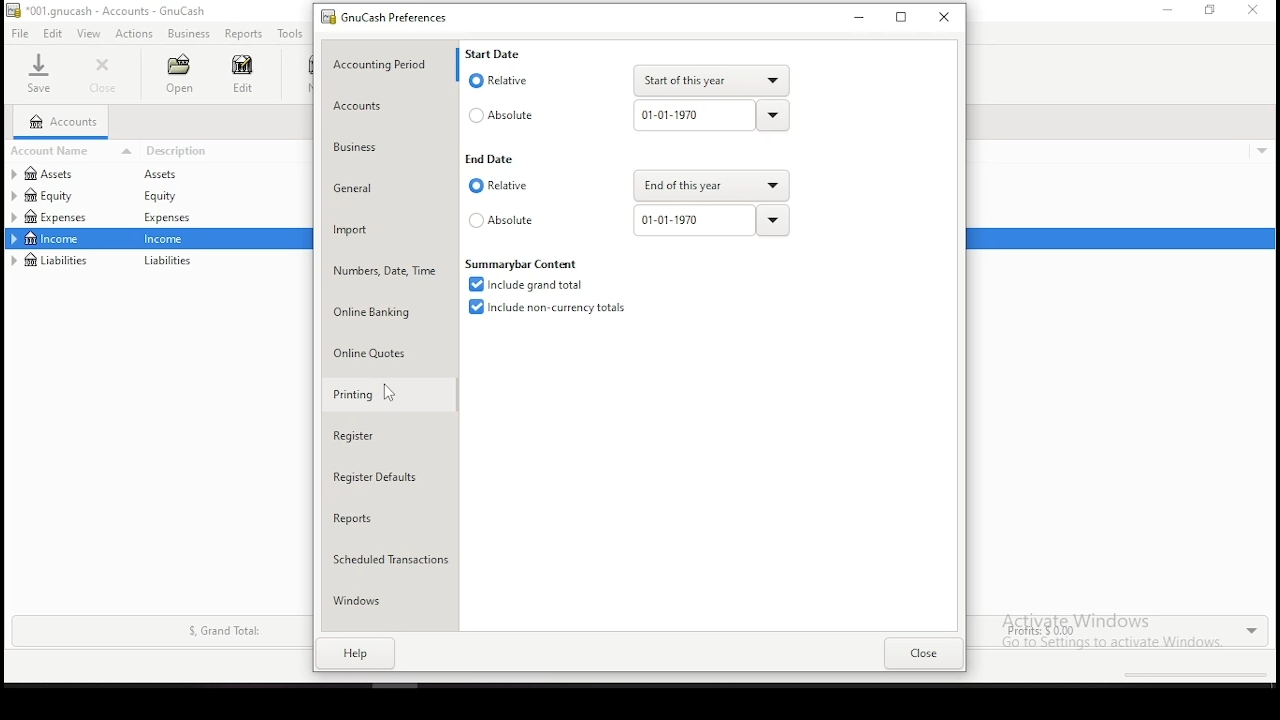 The width and height of the screenshot is (1280, 720). What do you see at coordinates (19, 34) in the screenshot?
I see `file` at bounding box center [19, 34].